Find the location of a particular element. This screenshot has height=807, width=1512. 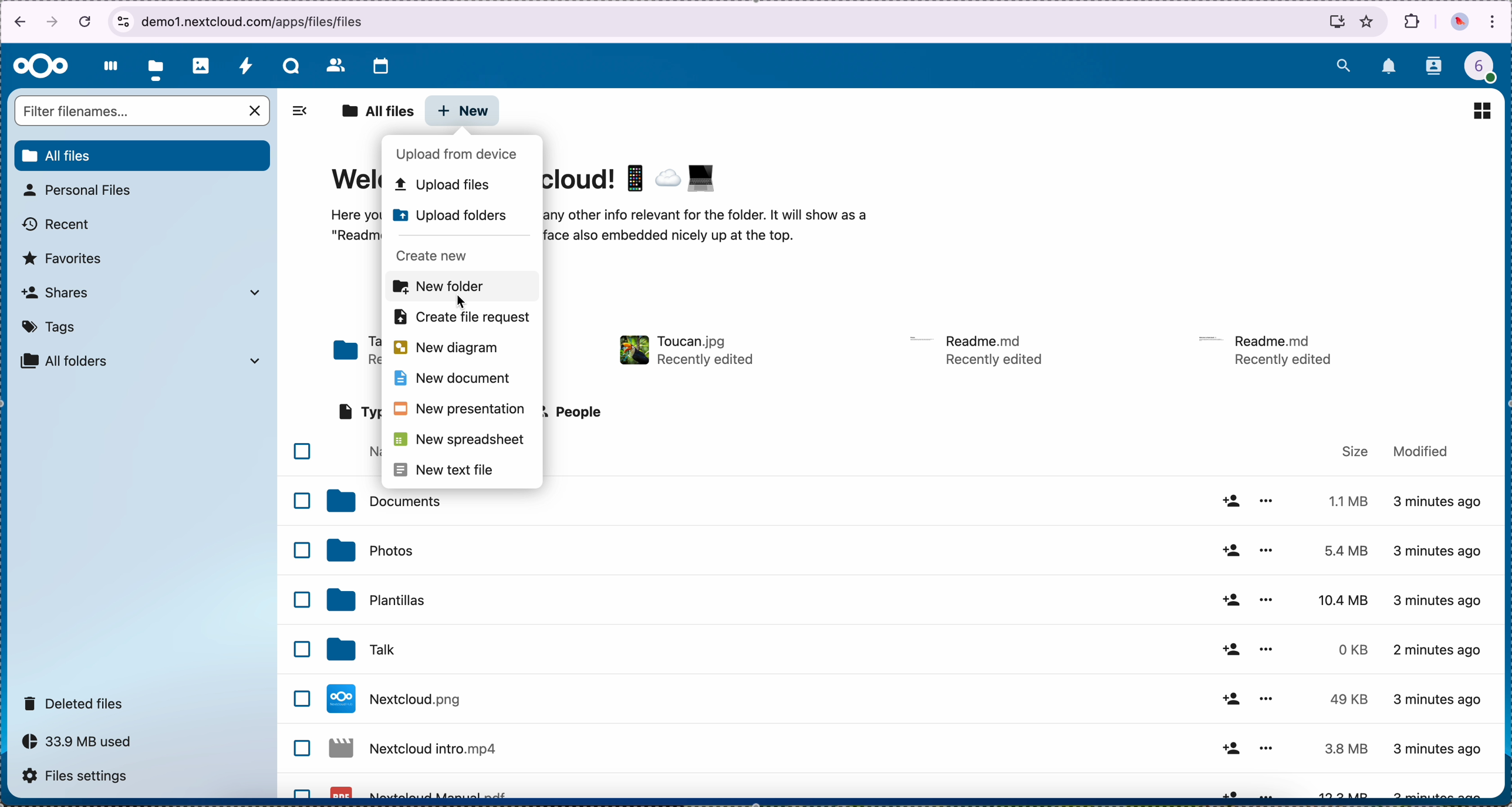

view site information is located at coordinates (123, 22).